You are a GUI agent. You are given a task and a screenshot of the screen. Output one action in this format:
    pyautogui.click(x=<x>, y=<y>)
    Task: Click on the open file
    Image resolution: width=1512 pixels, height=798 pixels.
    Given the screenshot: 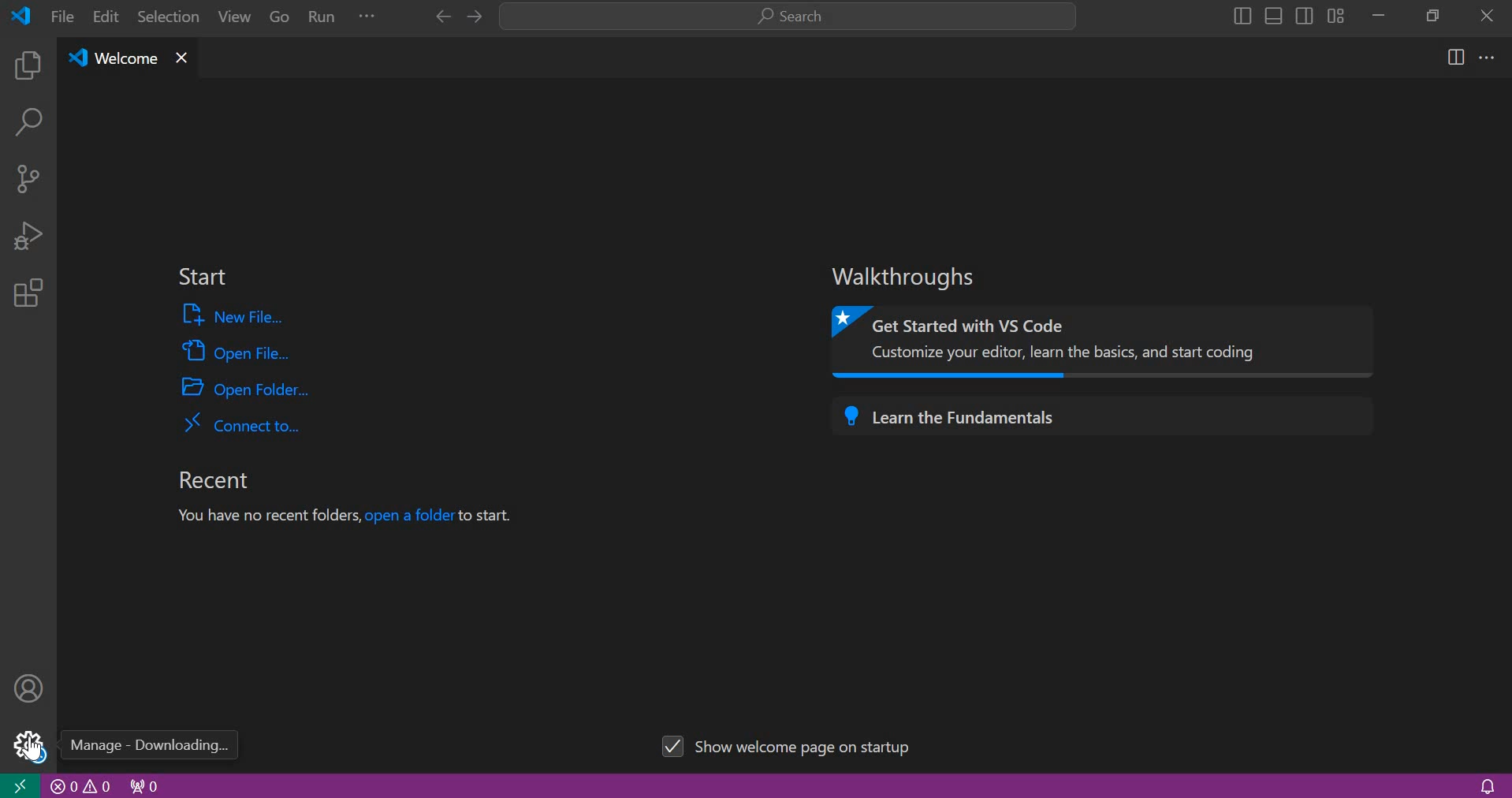 What is the action you would take?
    pyautogui.click(x=236, y=349)
    